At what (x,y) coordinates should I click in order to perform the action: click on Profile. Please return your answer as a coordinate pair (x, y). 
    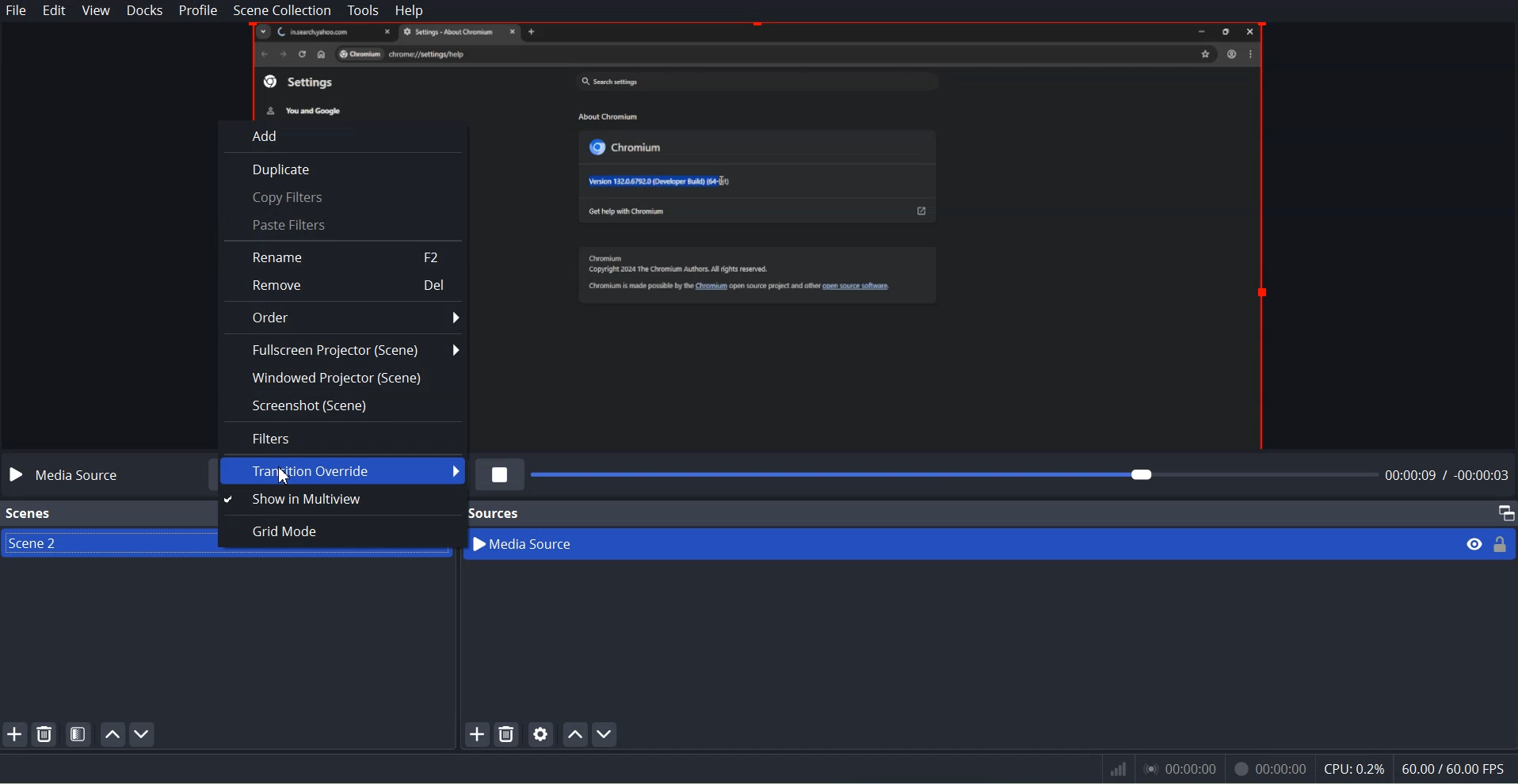
    Looking at the image, I should click on (198, 11).